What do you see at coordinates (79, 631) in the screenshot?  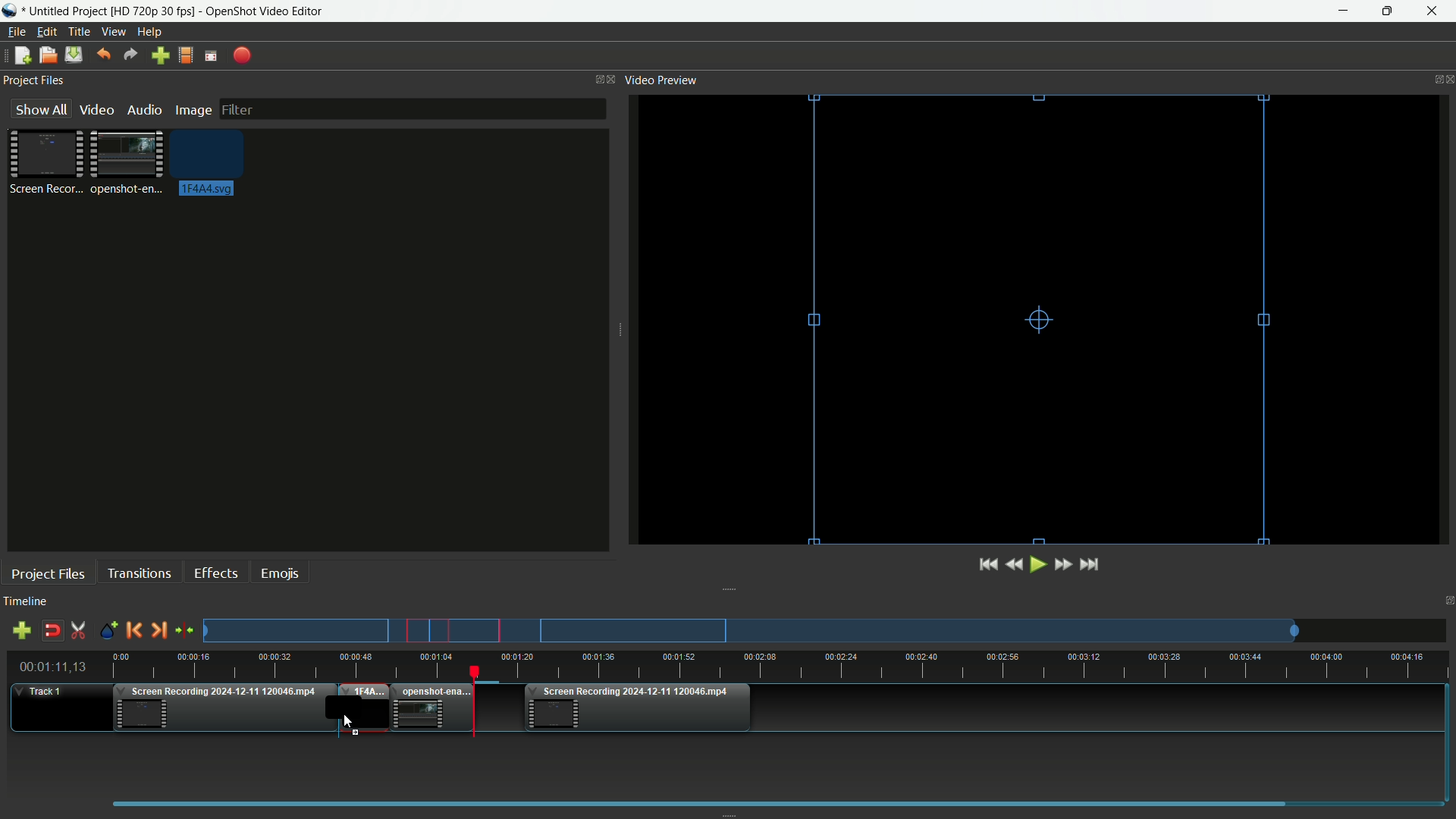 I see `Enable razor` at bounding box center [79, 631].